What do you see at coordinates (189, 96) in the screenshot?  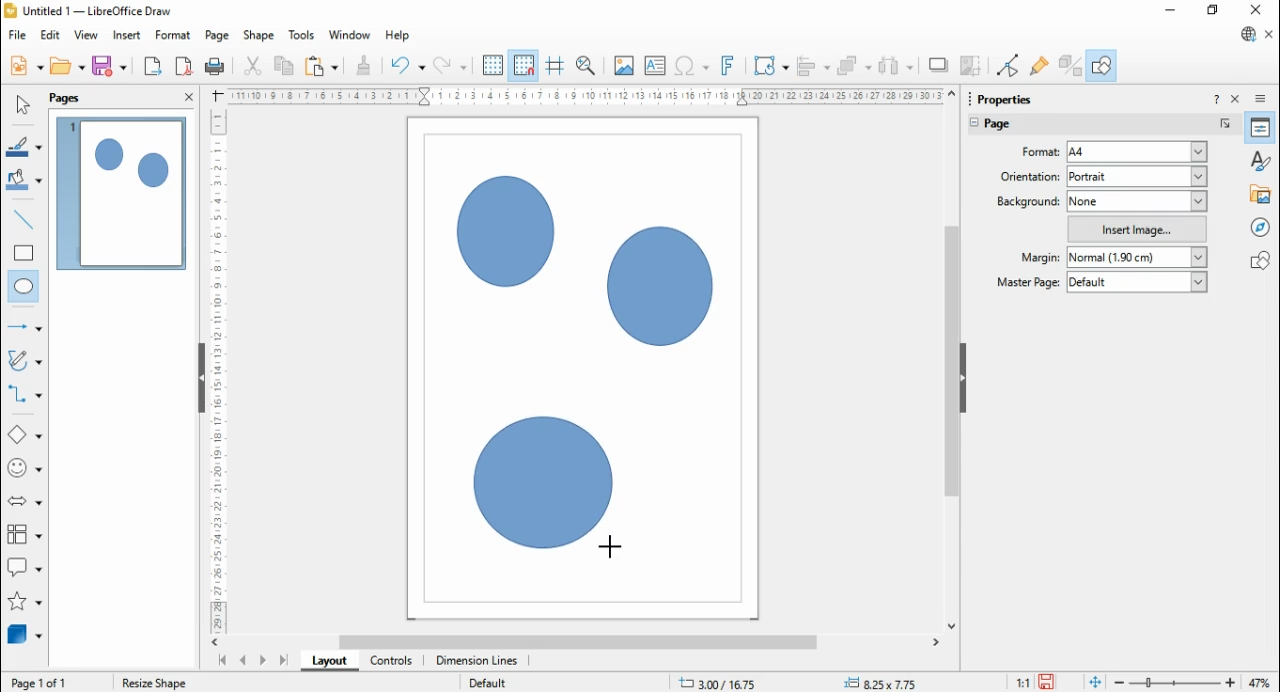 I see `close panel` at bounding box center [189, 96].